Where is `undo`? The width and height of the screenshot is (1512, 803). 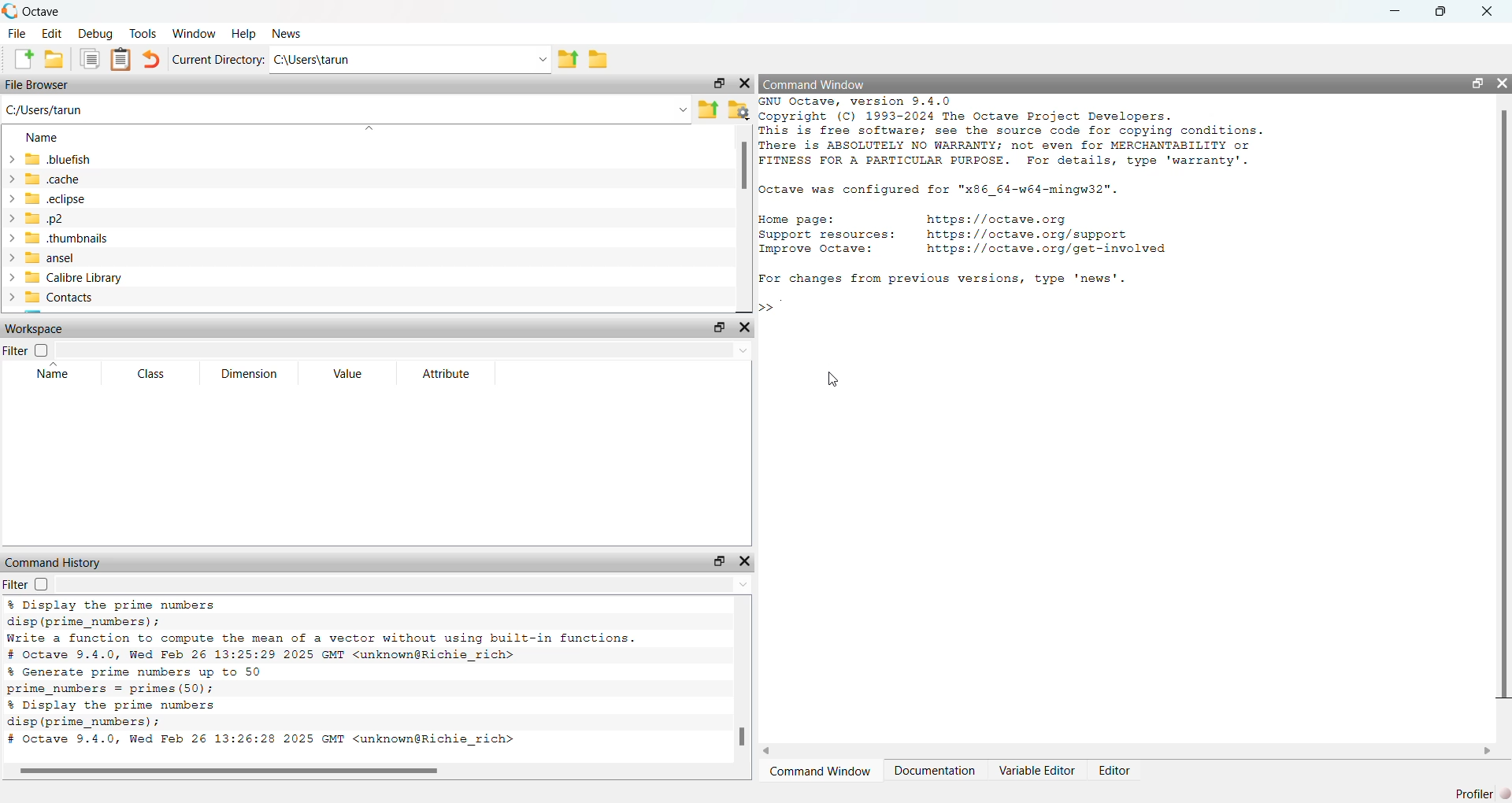
undo is located at coordinates (150, 59).